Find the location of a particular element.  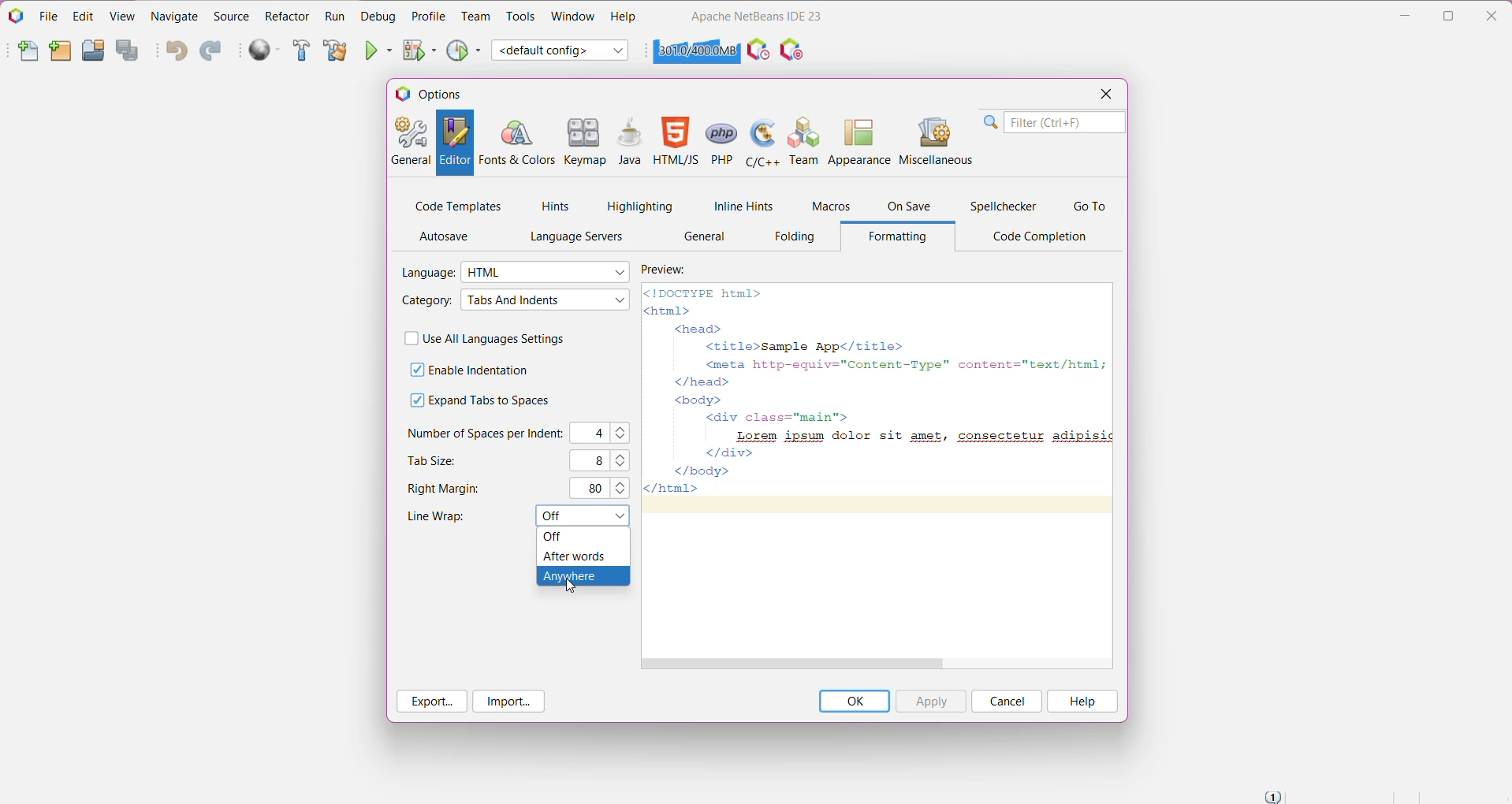

C/C++ is located at coordinates (761, 141).